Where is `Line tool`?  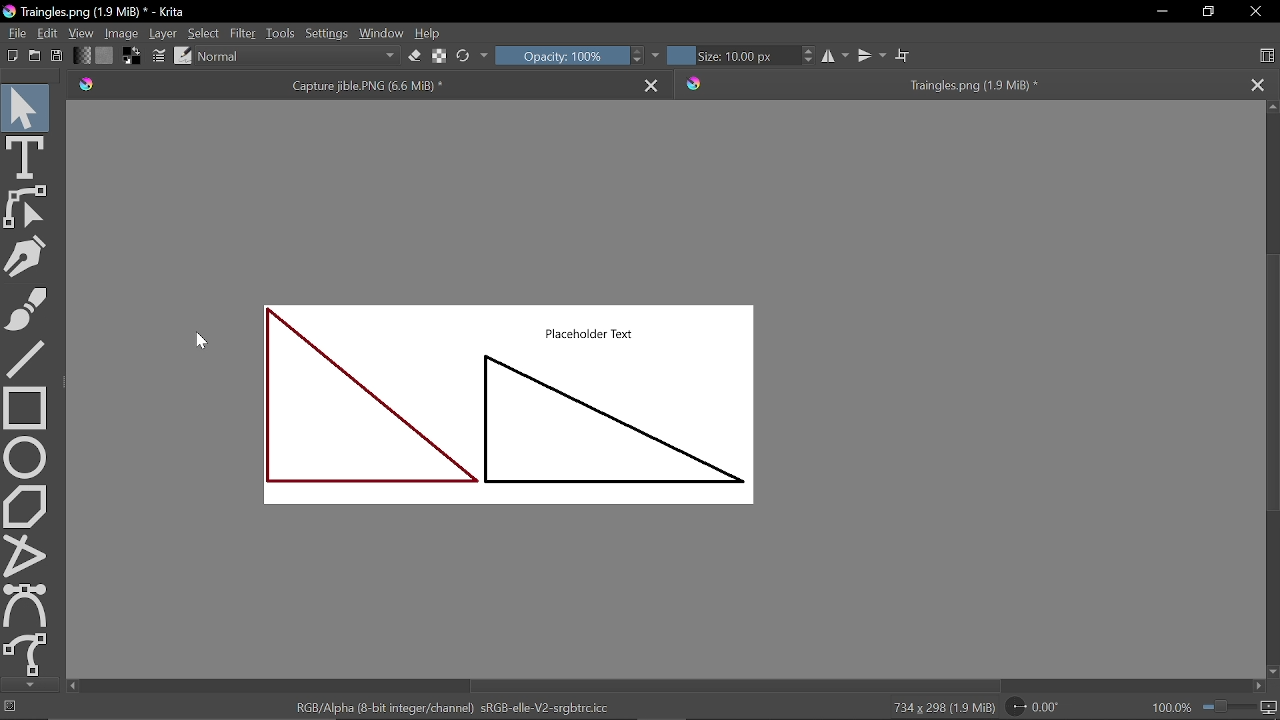
Line tool is located at coordinates (28, 358).